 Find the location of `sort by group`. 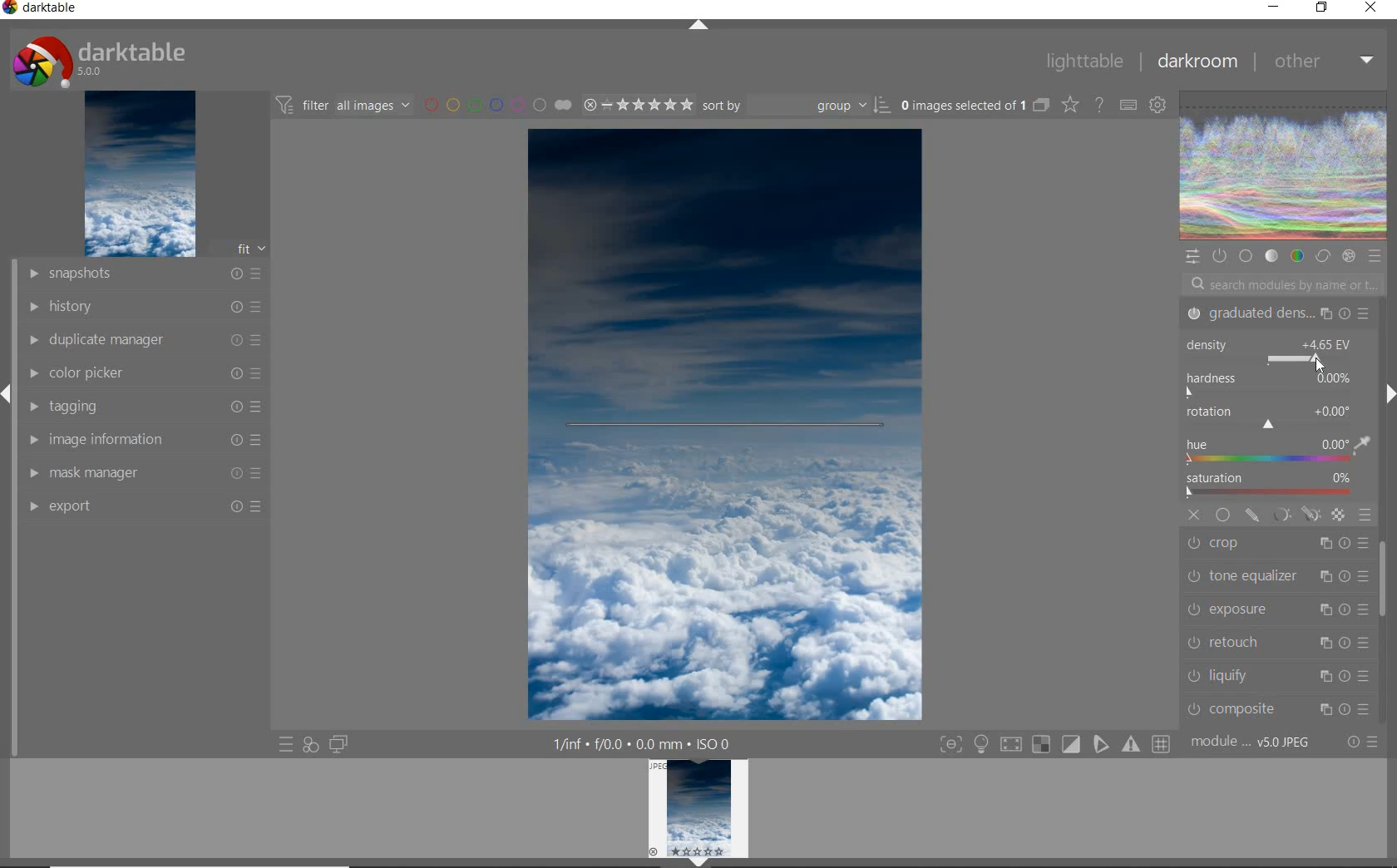

sort by group is located at coordinates (794, 106).